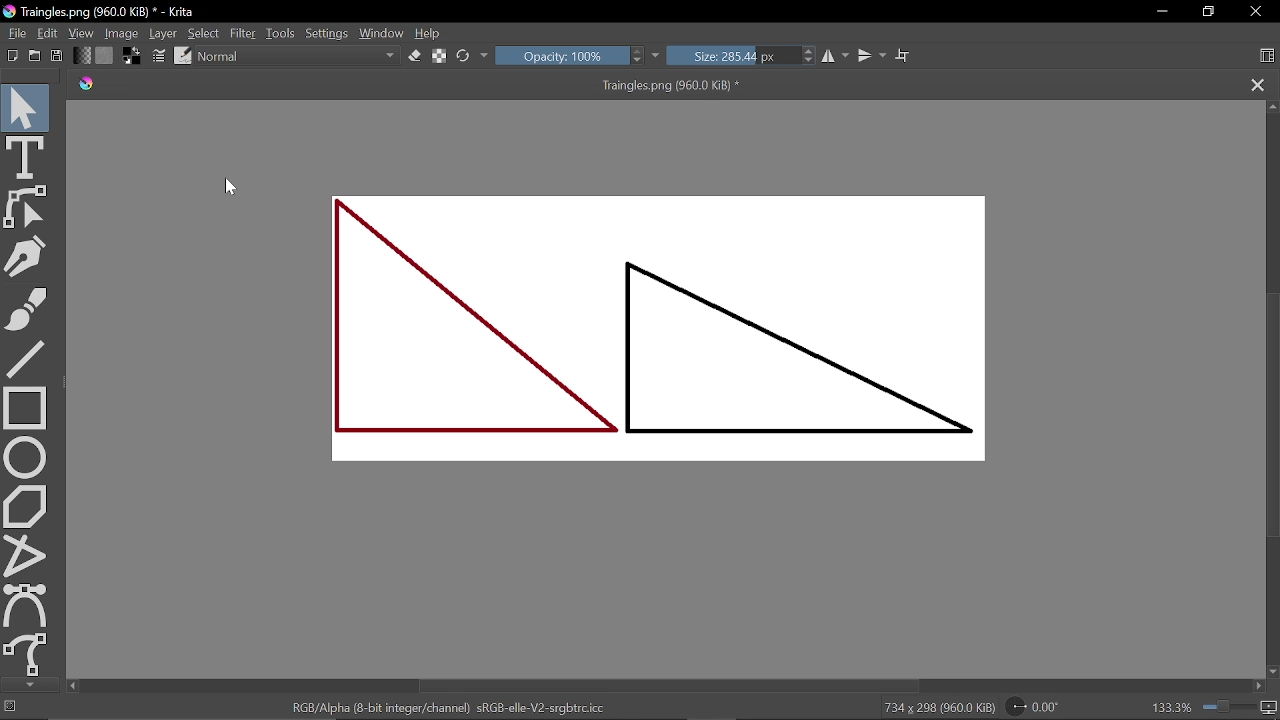 The height and width of the screenshot is (720, 1280). What do you see at coordinates (28, 506) in the screenshot?
I see `Polygon tool` at bounding box center [28, 506].